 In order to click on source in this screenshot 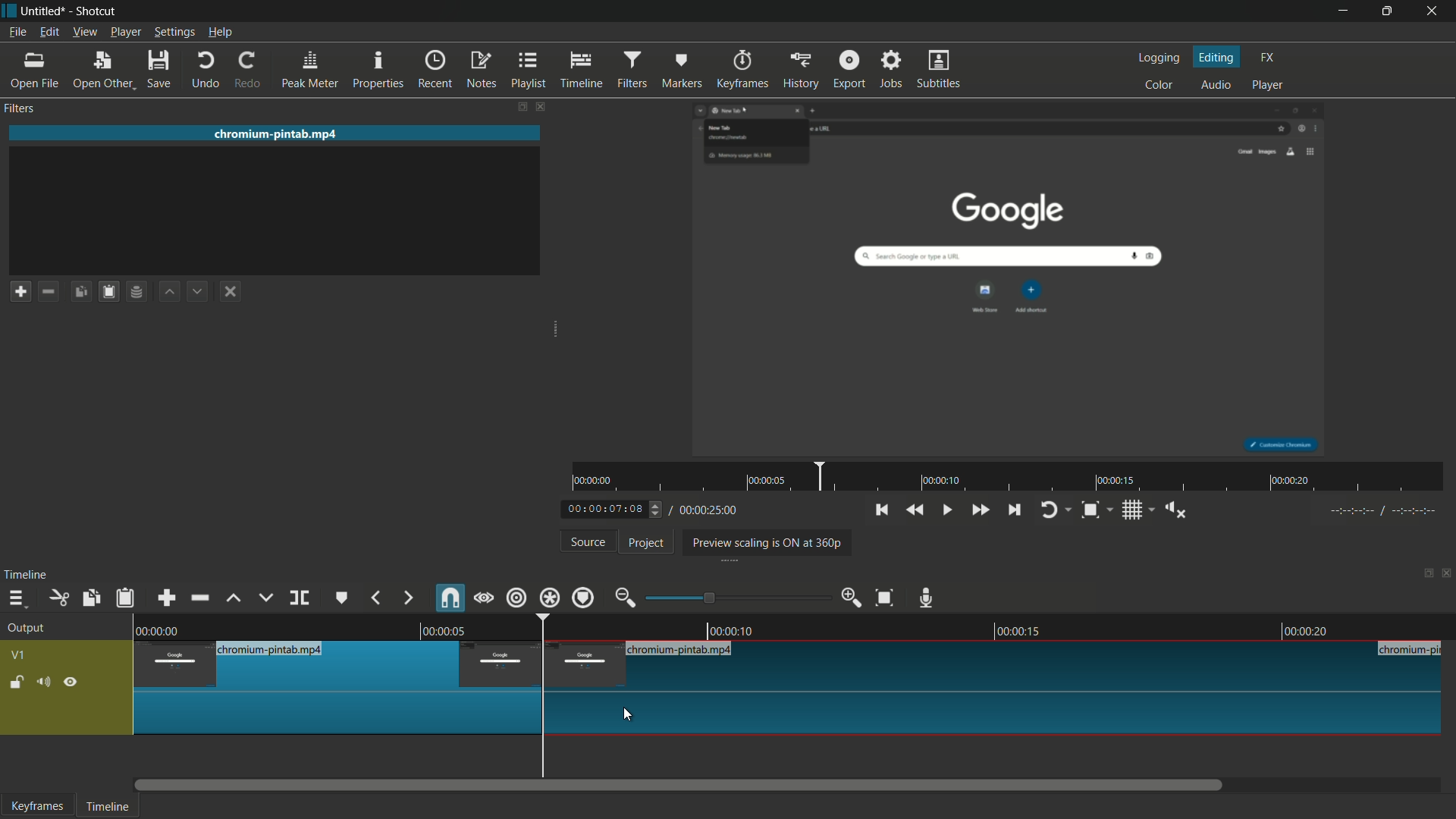, I will do `click(589, 541)`.